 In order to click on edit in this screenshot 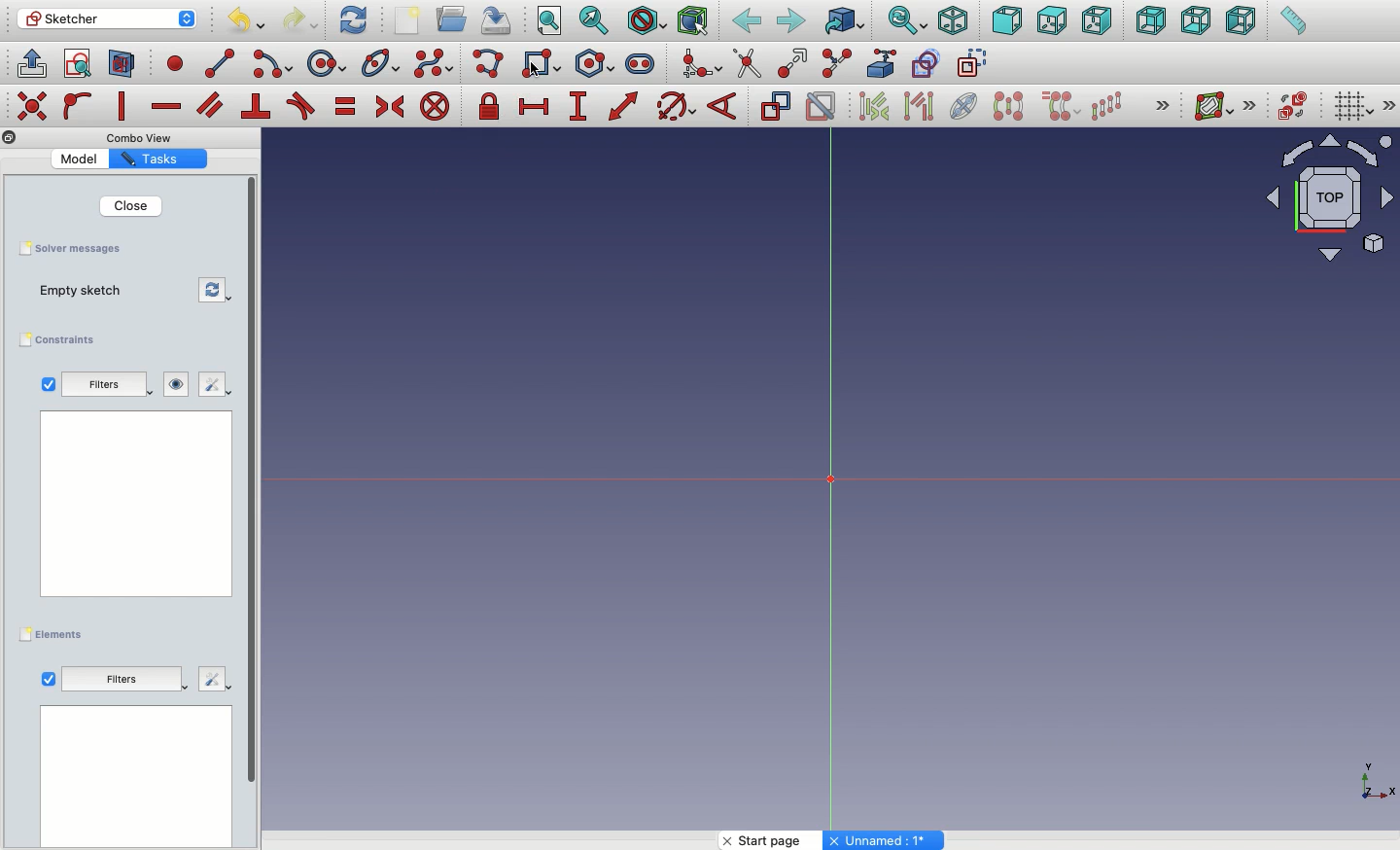, I will do `click(215, 677)`.